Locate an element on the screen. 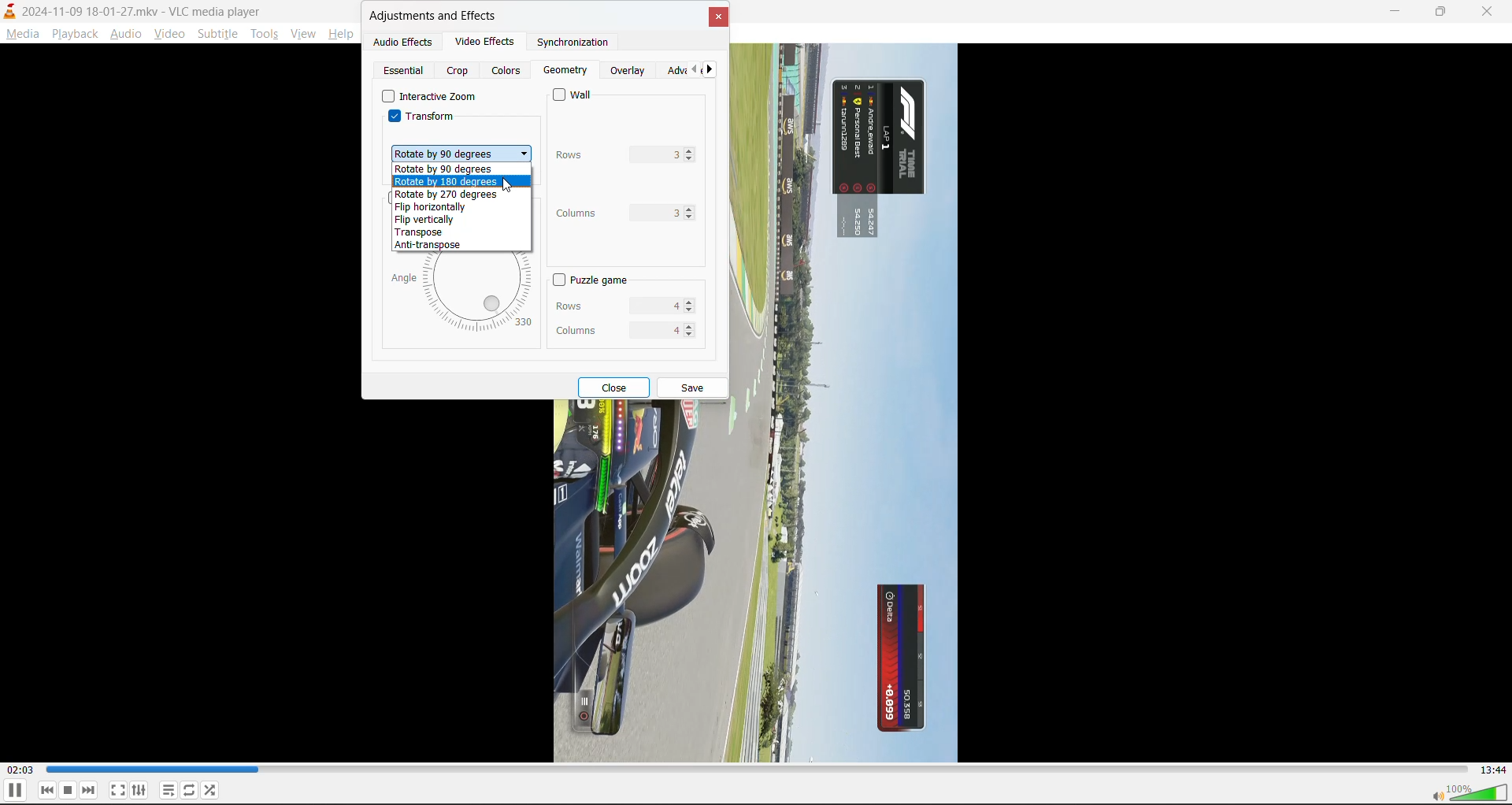  Essential is located at coordinates (405, 70).